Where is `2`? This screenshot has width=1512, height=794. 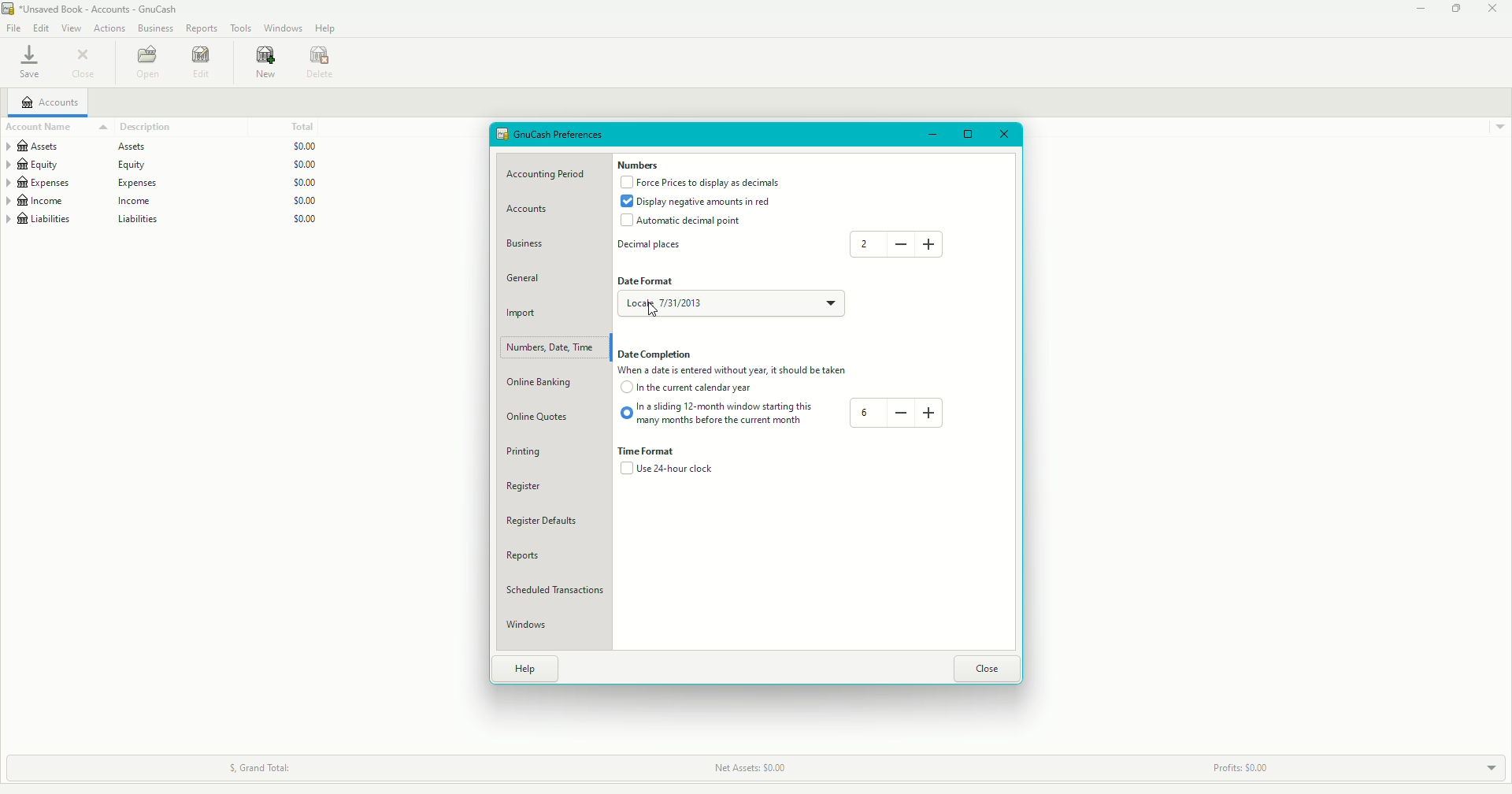
2 is located at coordinates (862, 243).